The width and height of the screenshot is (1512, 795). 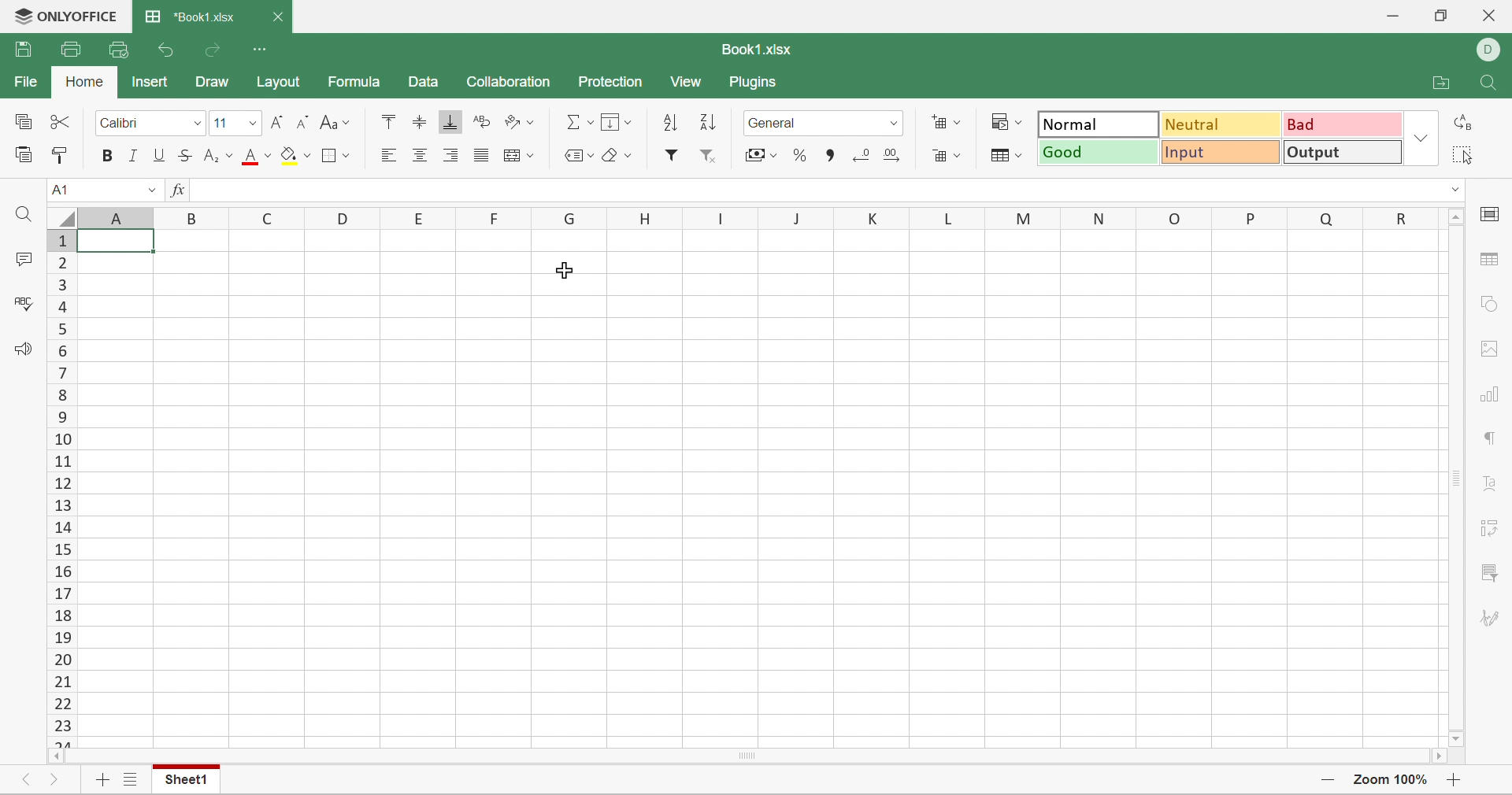 I want to click on Named ranges, so click(x=573, y=153).